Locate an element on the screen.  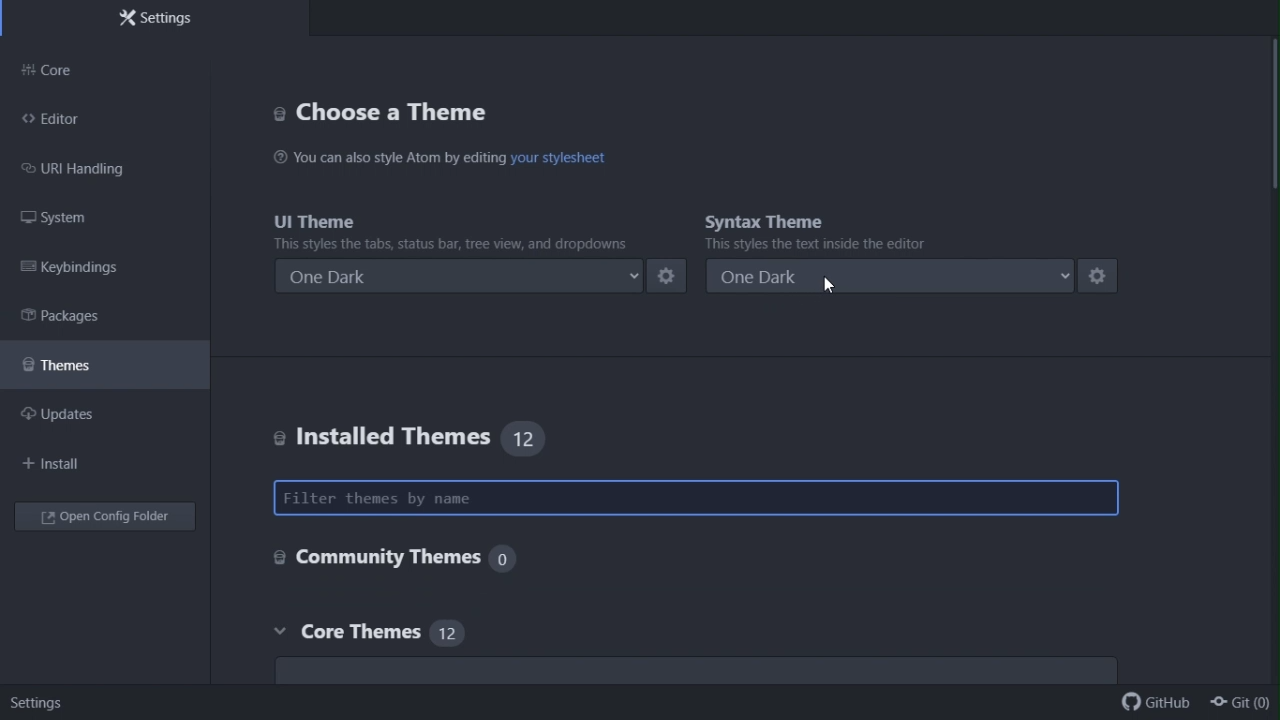
cursor is located at coordinates (836, 282).